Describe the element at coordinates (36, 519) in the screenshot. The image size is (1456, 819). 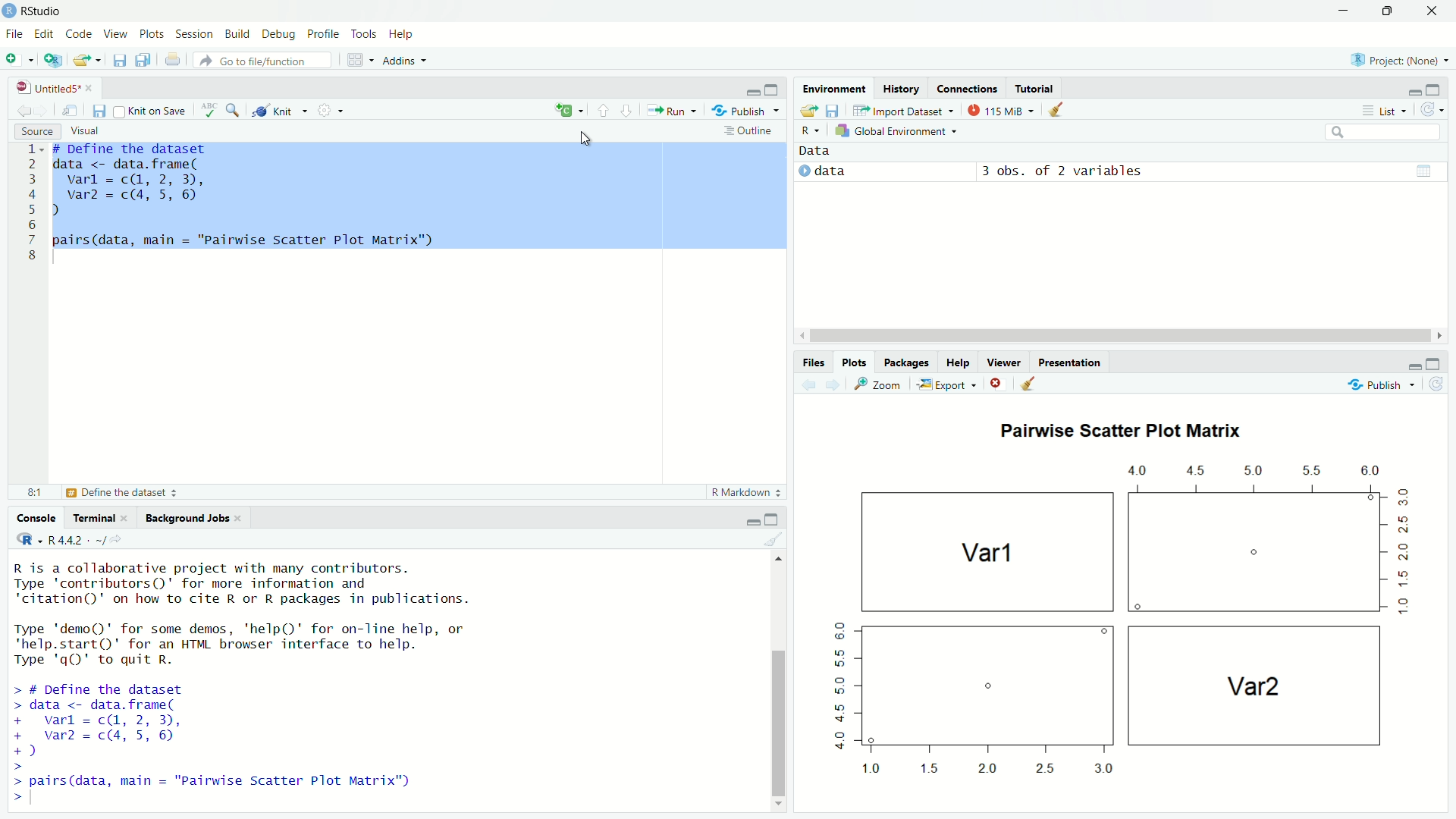
I see `Console` at that location.